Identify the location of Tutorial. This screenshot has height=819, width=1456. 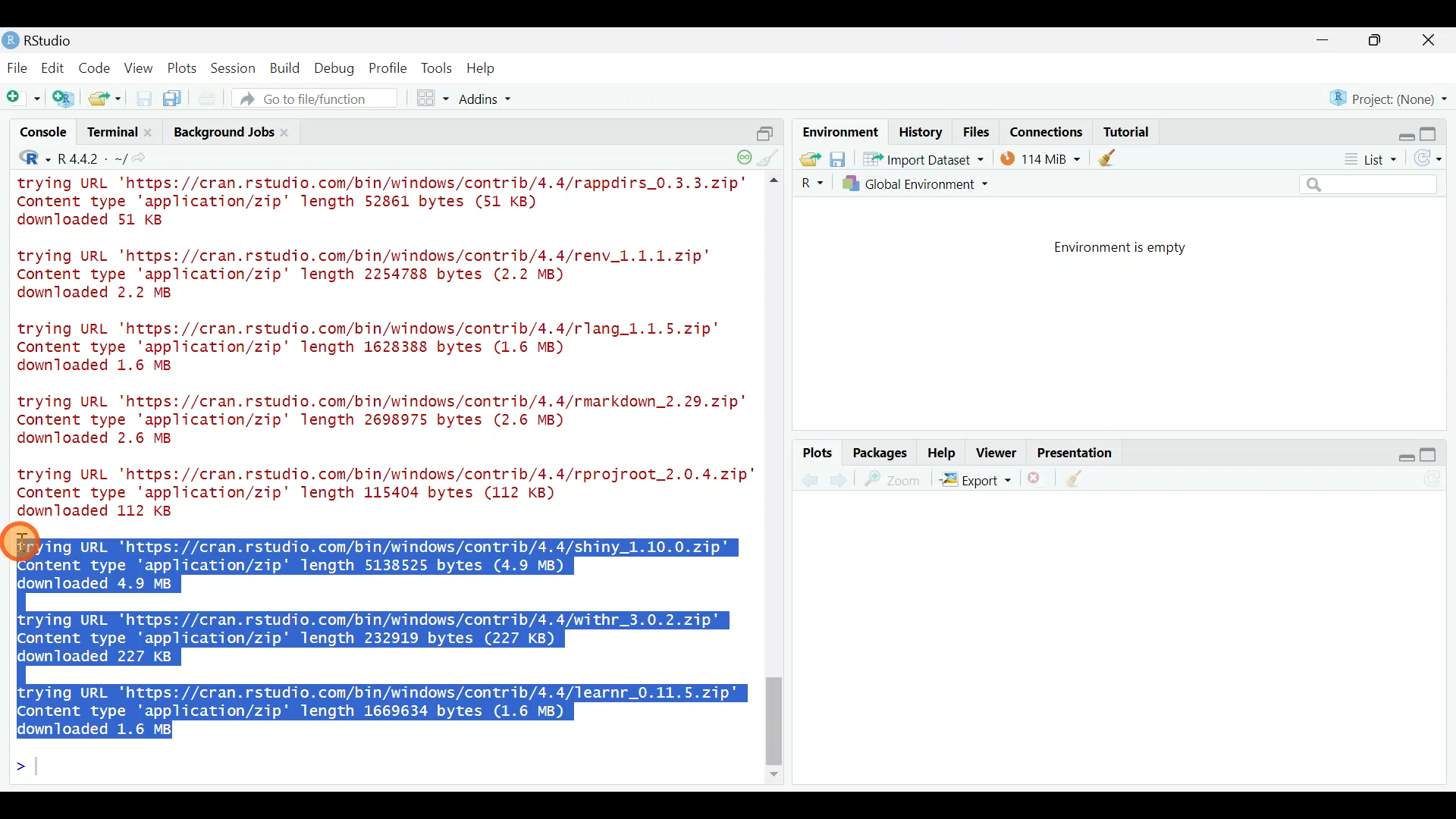
(1125, 129).